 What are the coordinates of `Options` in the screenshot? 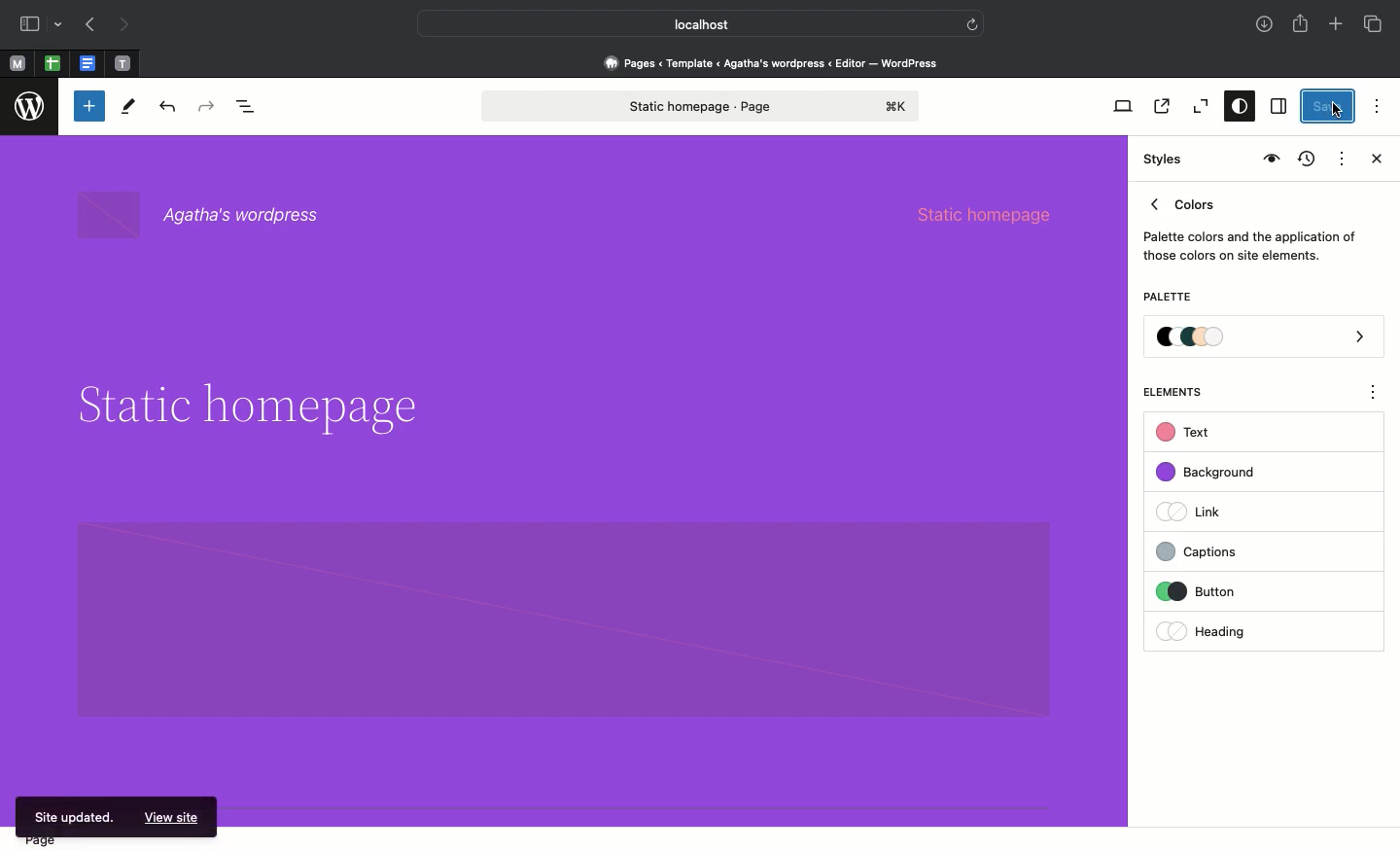 It's located at (1375, 103).